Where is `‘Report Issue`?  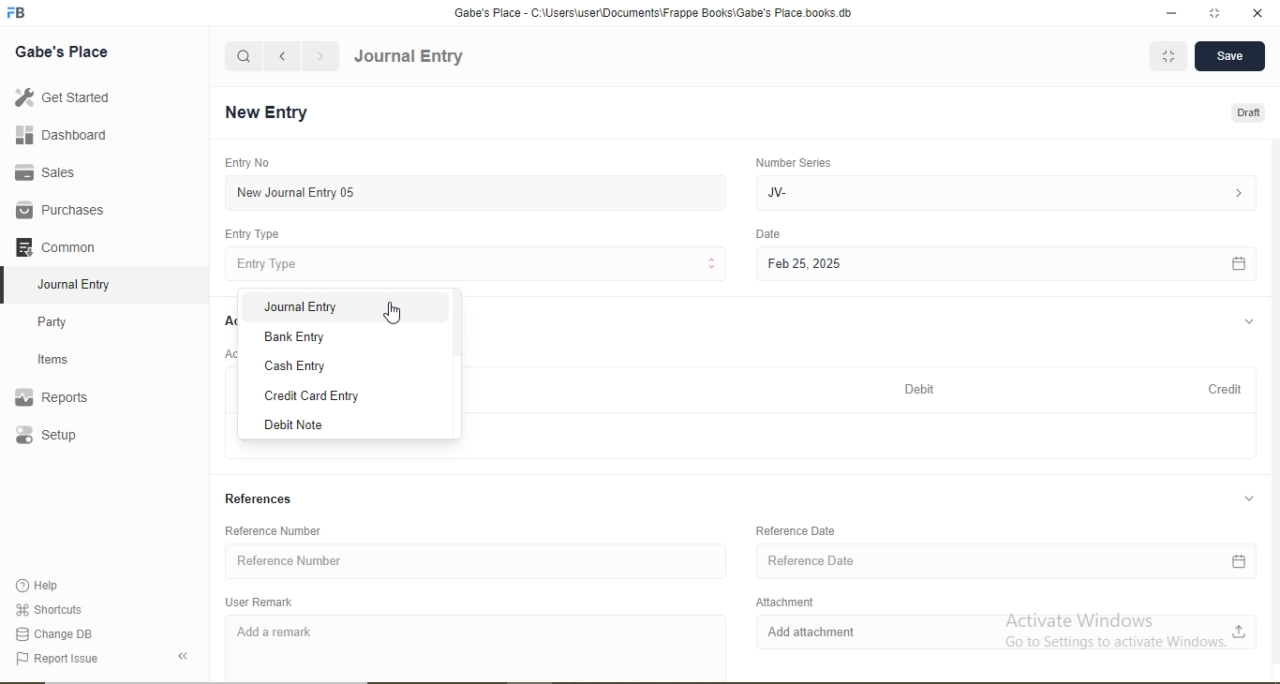
‘Report Issue is located at coordinates (78, 659).